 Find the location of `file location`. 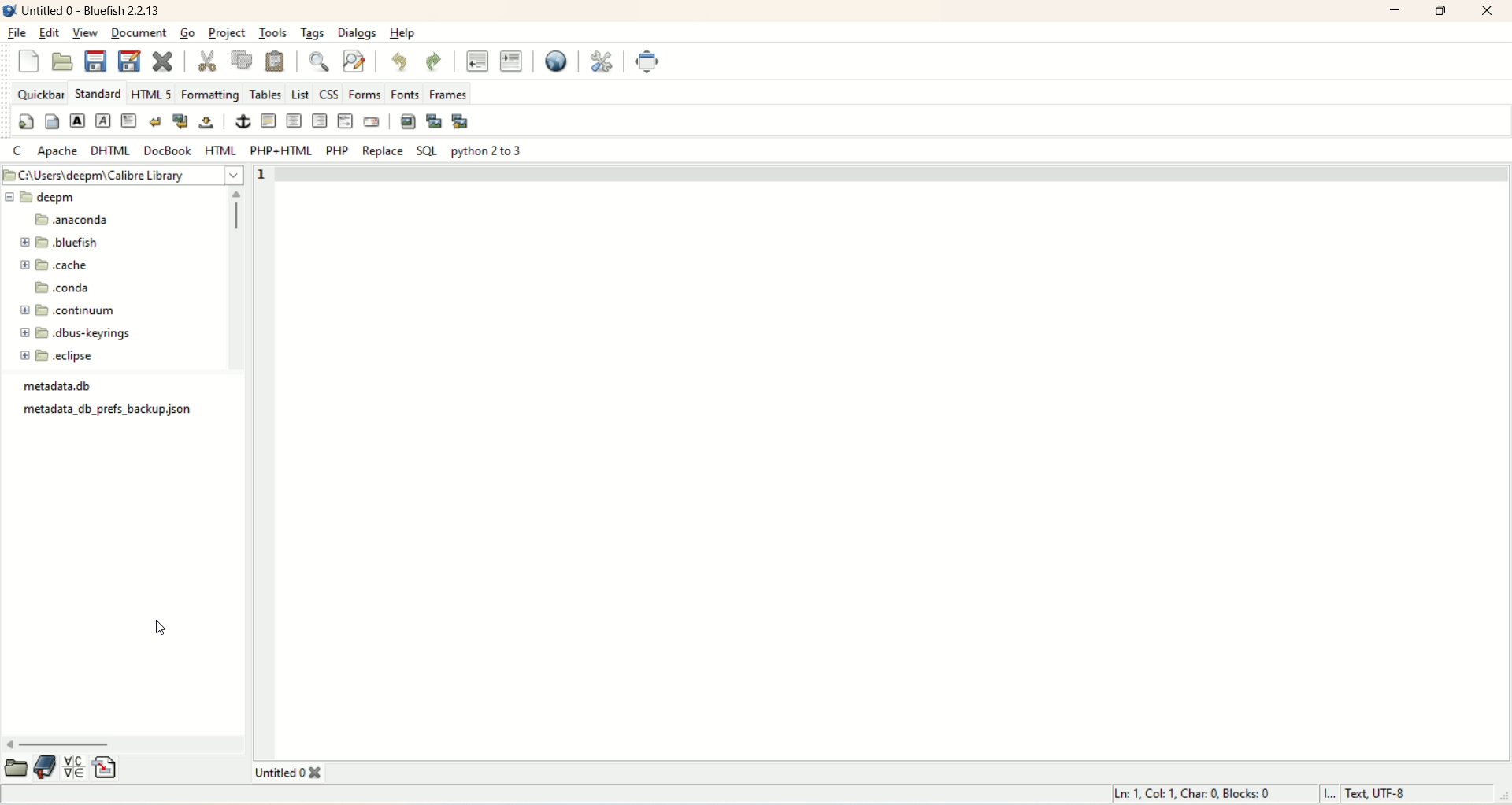

file location is located at coordinates (122, 173).